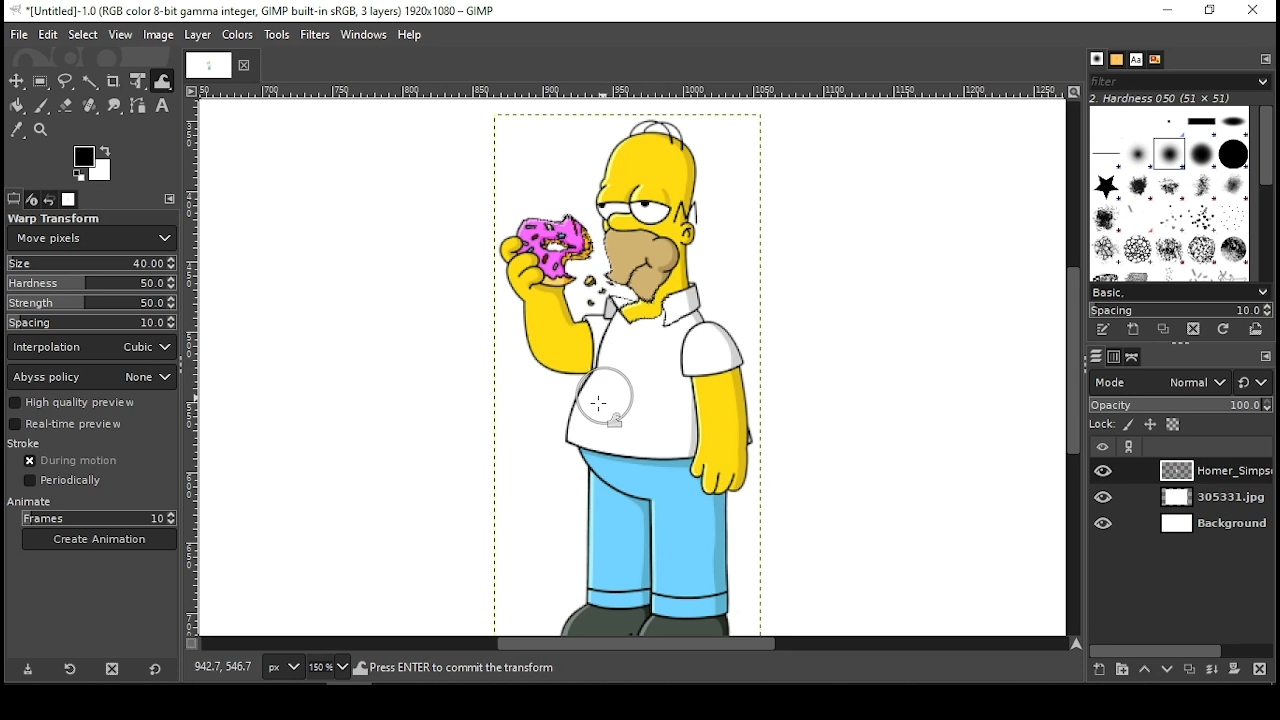  What do you see at coordinates (31, 504) in the screenshot?
I see `animate` at bounding box center [31, 504].